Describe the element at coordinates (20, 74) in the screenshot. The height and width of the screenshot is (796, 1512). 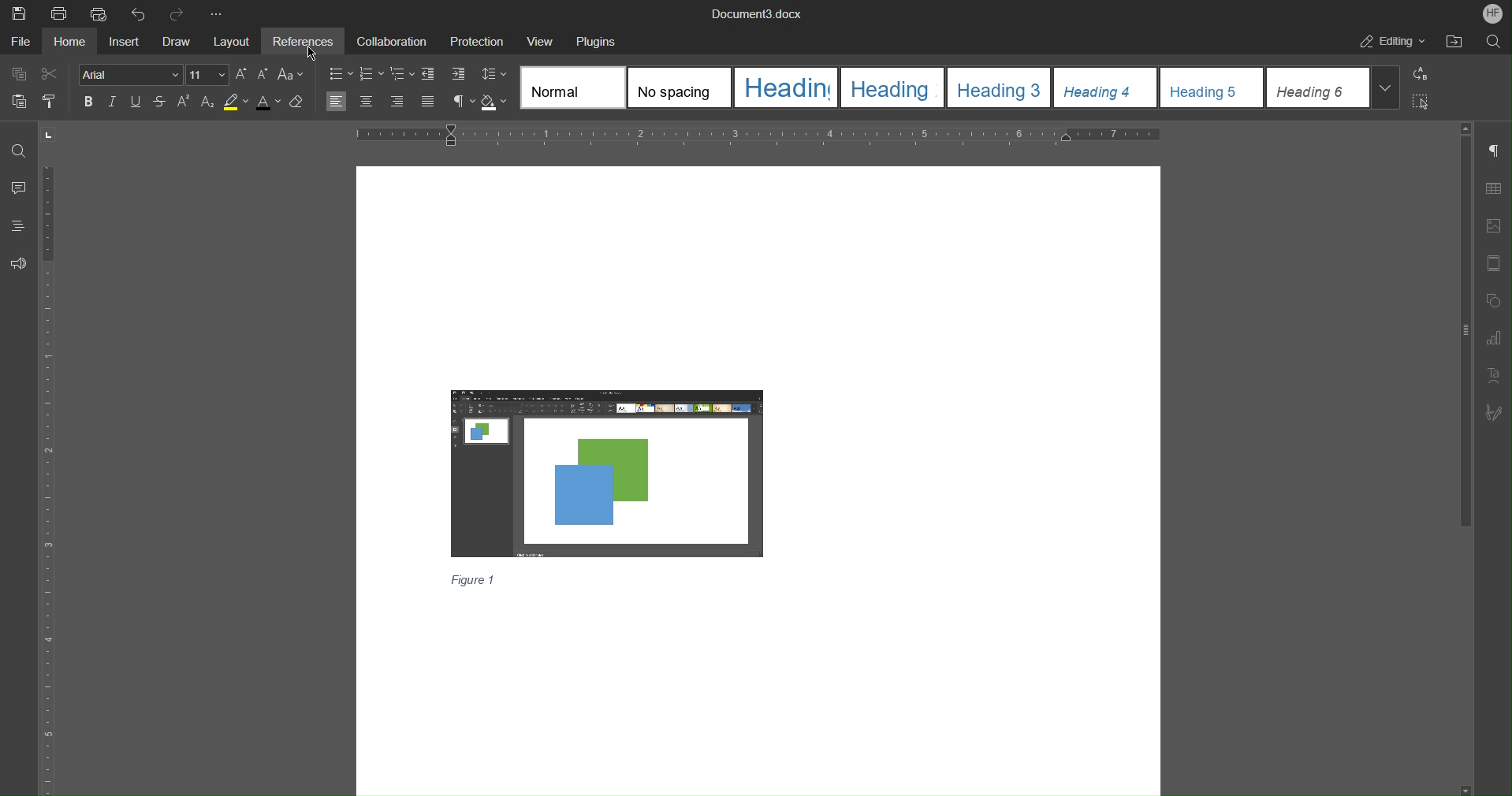
I see `Copy` at that location.